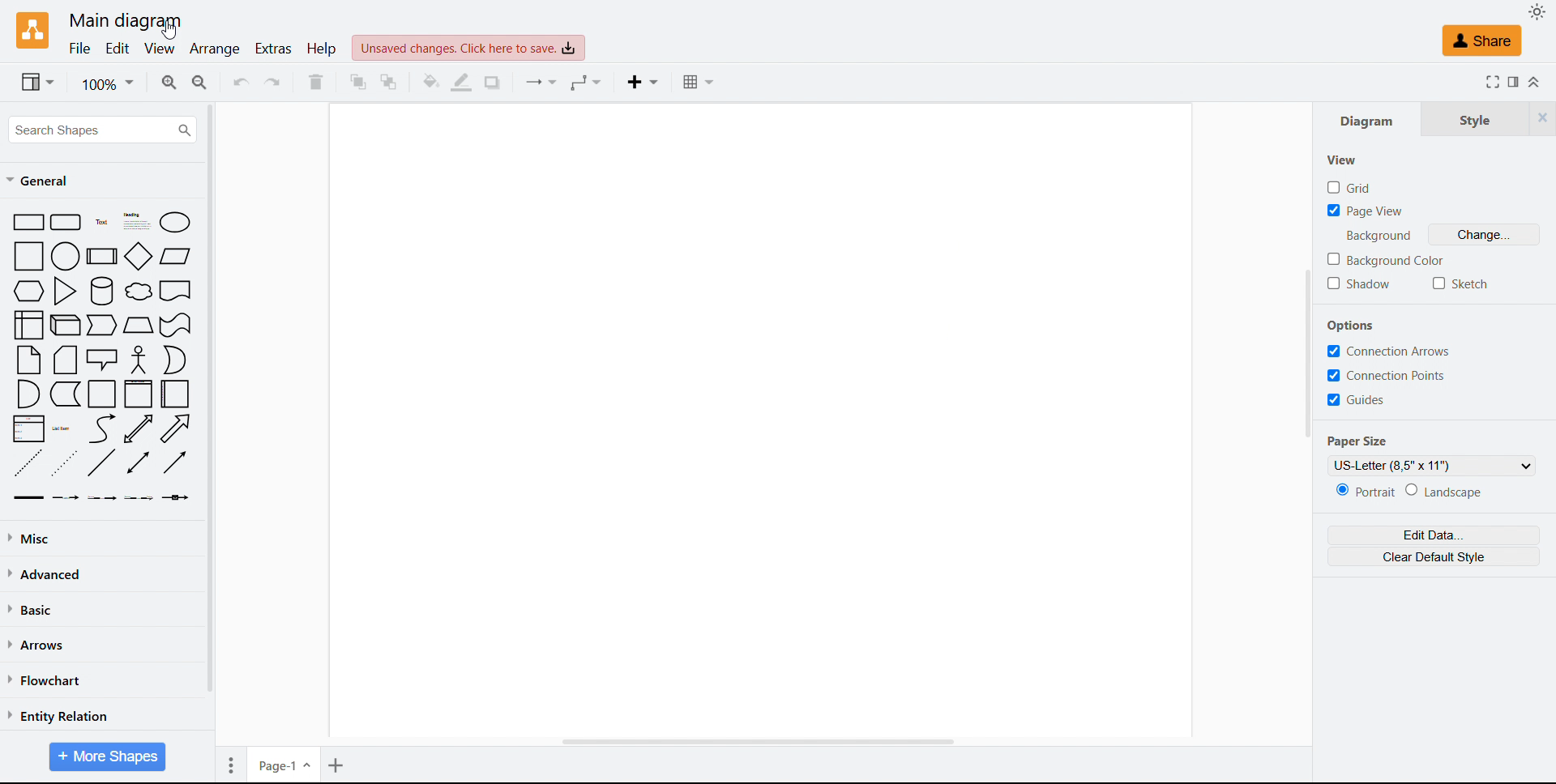  What do you see at coordinates (1545, 117) in the screenshot?
I see `Close tabs ` at bounding box center [1545, 117].